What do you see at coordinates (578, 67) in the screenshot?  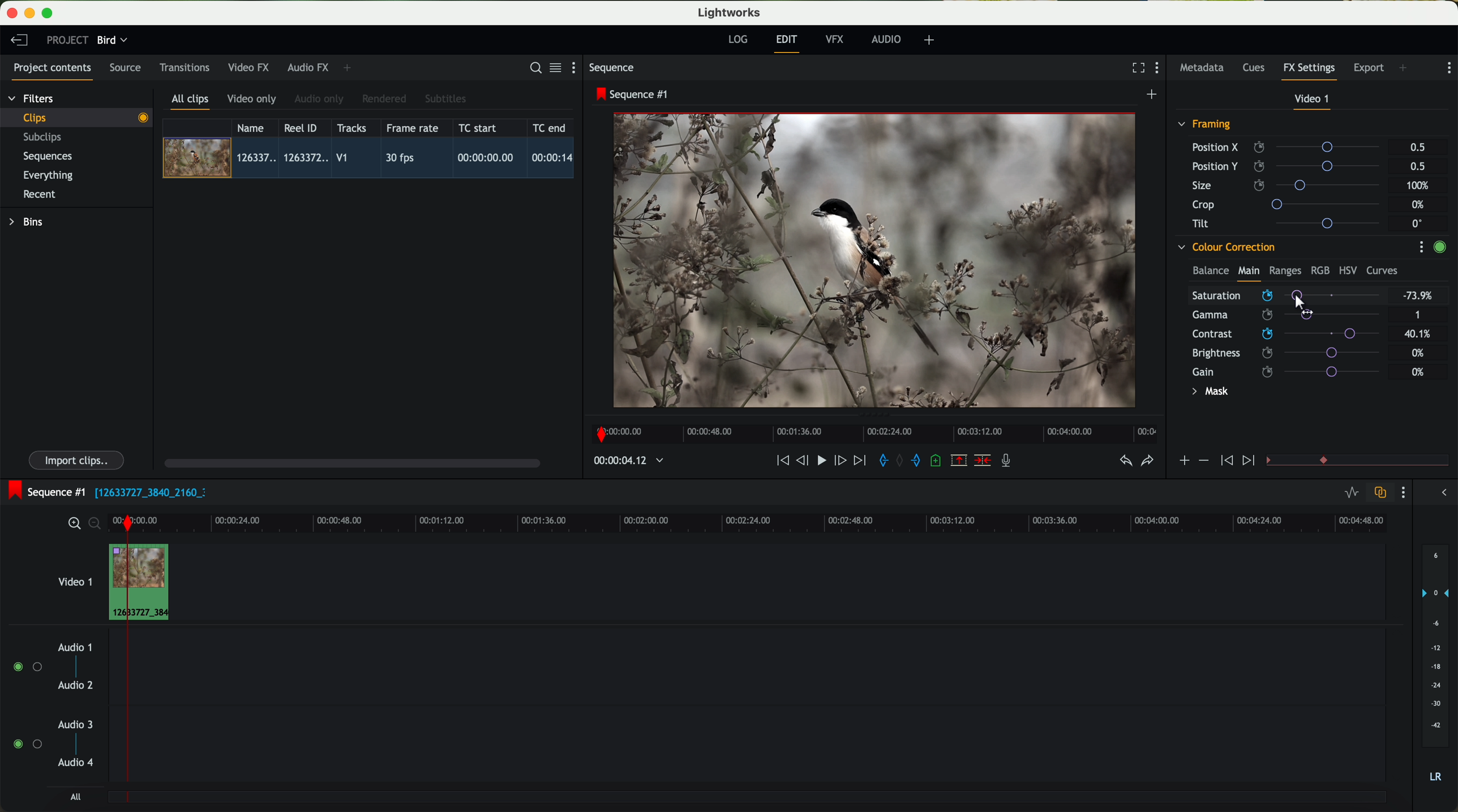 I see `show settings menu` at bounding box center [578, 67].